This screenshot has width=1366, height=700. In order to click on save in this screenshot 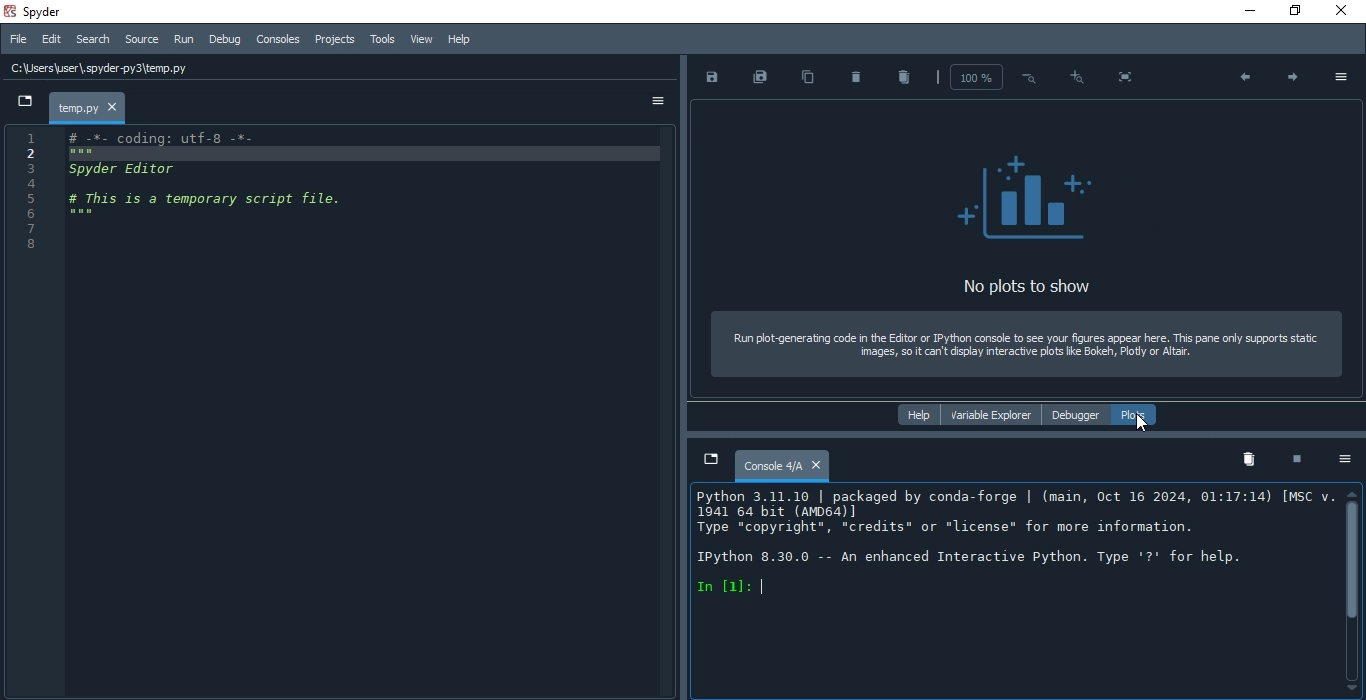, I will do `click(711, 77)`.